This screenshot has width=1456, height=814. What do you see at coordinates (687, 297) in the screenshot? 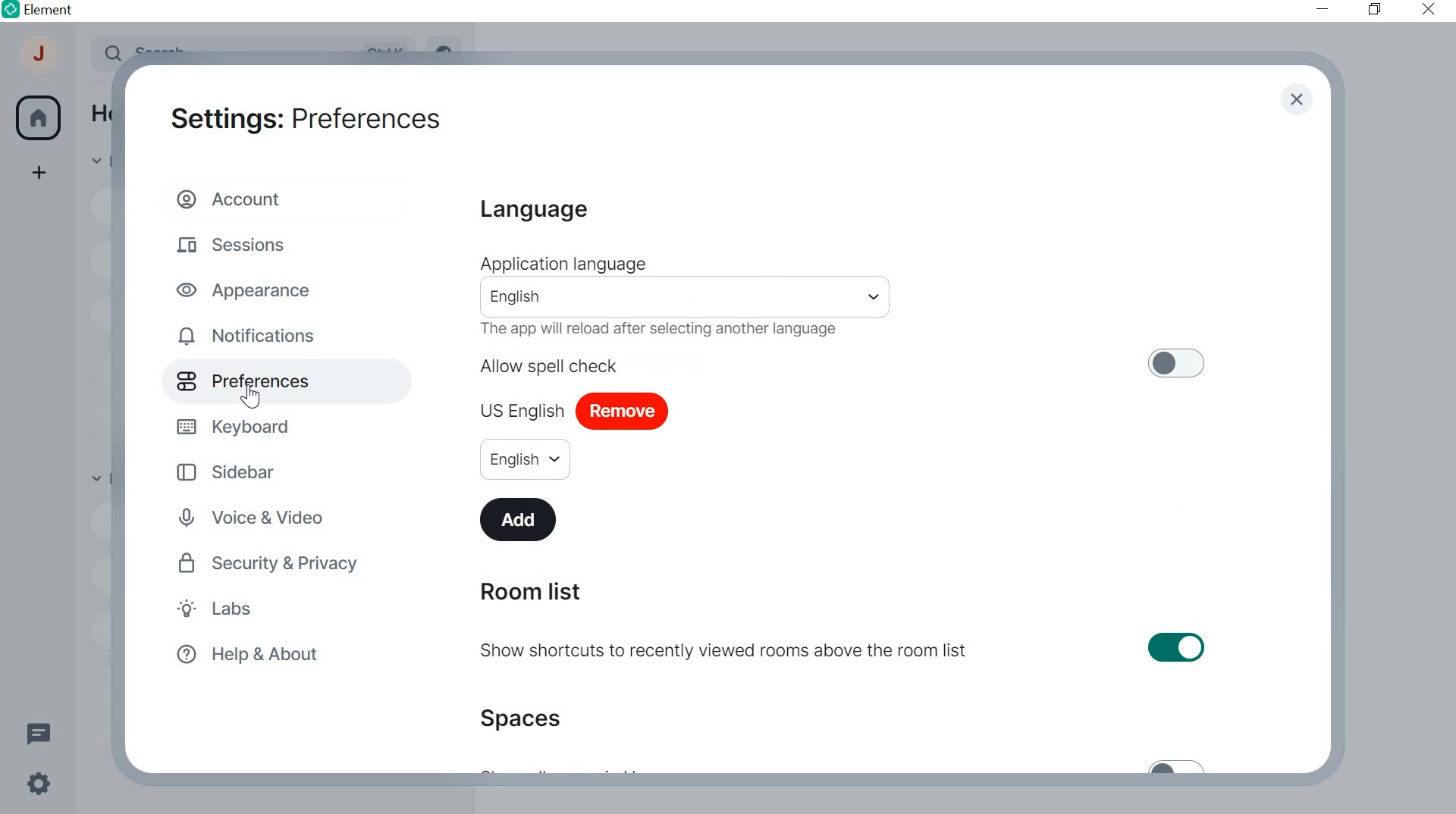
I see `Search bar` at bounding box center [687, 297].